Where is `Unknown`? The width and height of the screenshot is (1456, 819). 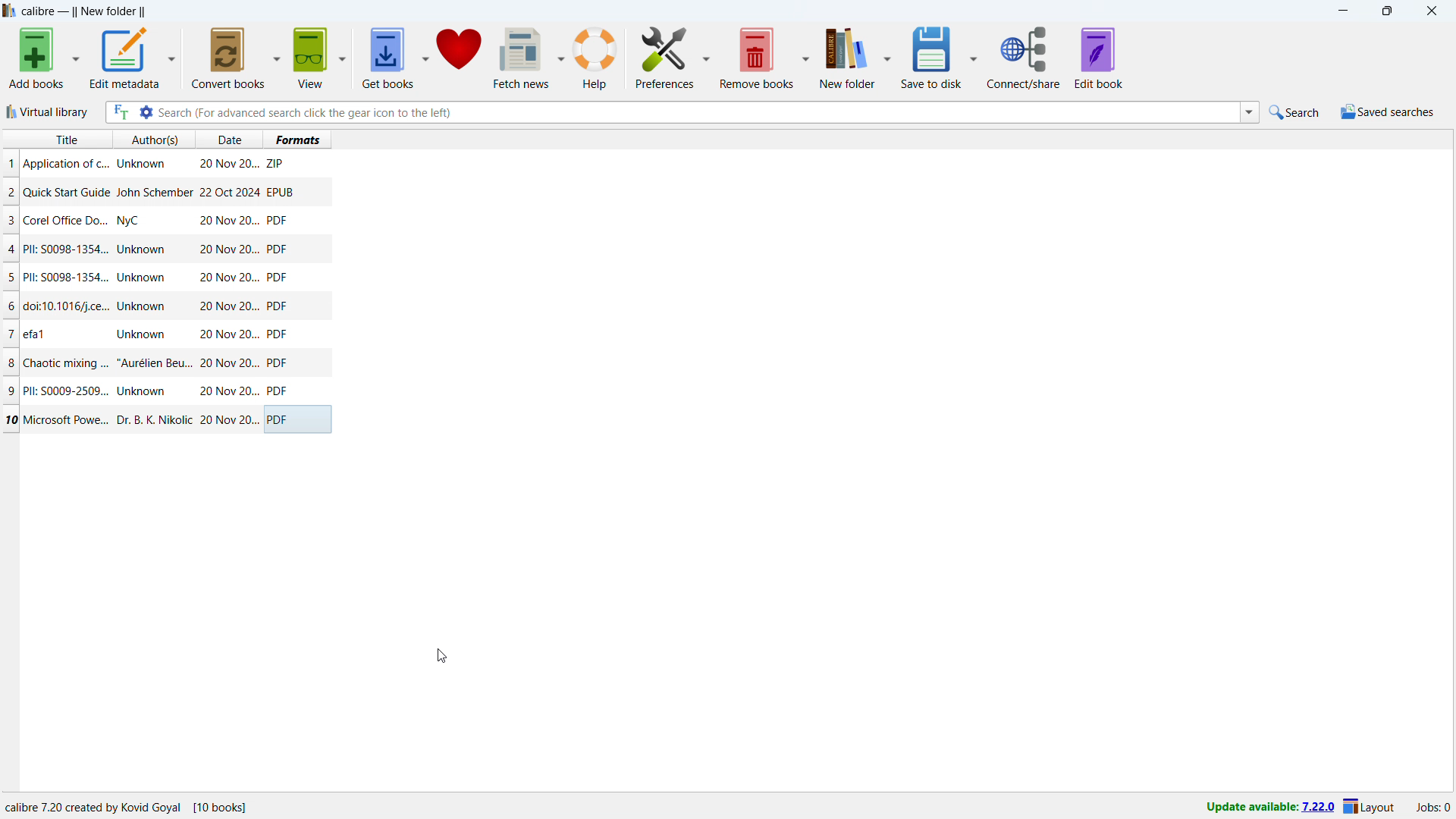
Unknown is located at coordinates (141, 278).